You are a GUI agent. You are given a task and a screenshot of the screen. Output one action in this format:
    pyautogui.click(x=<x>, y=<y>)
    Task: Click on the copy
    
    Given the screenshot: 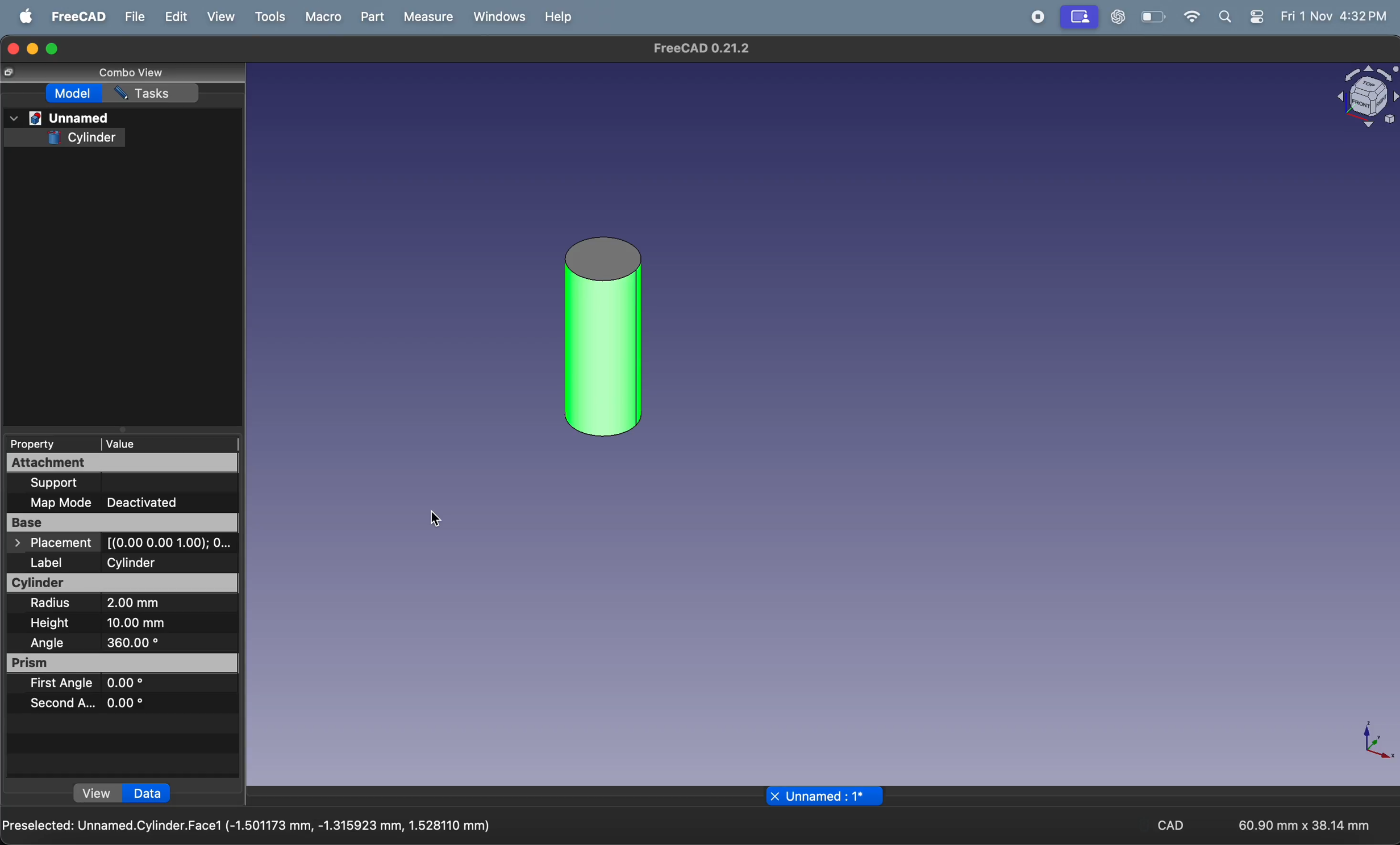 What is the action you would take?
    pyautogui.click(x=8, y=73)
    